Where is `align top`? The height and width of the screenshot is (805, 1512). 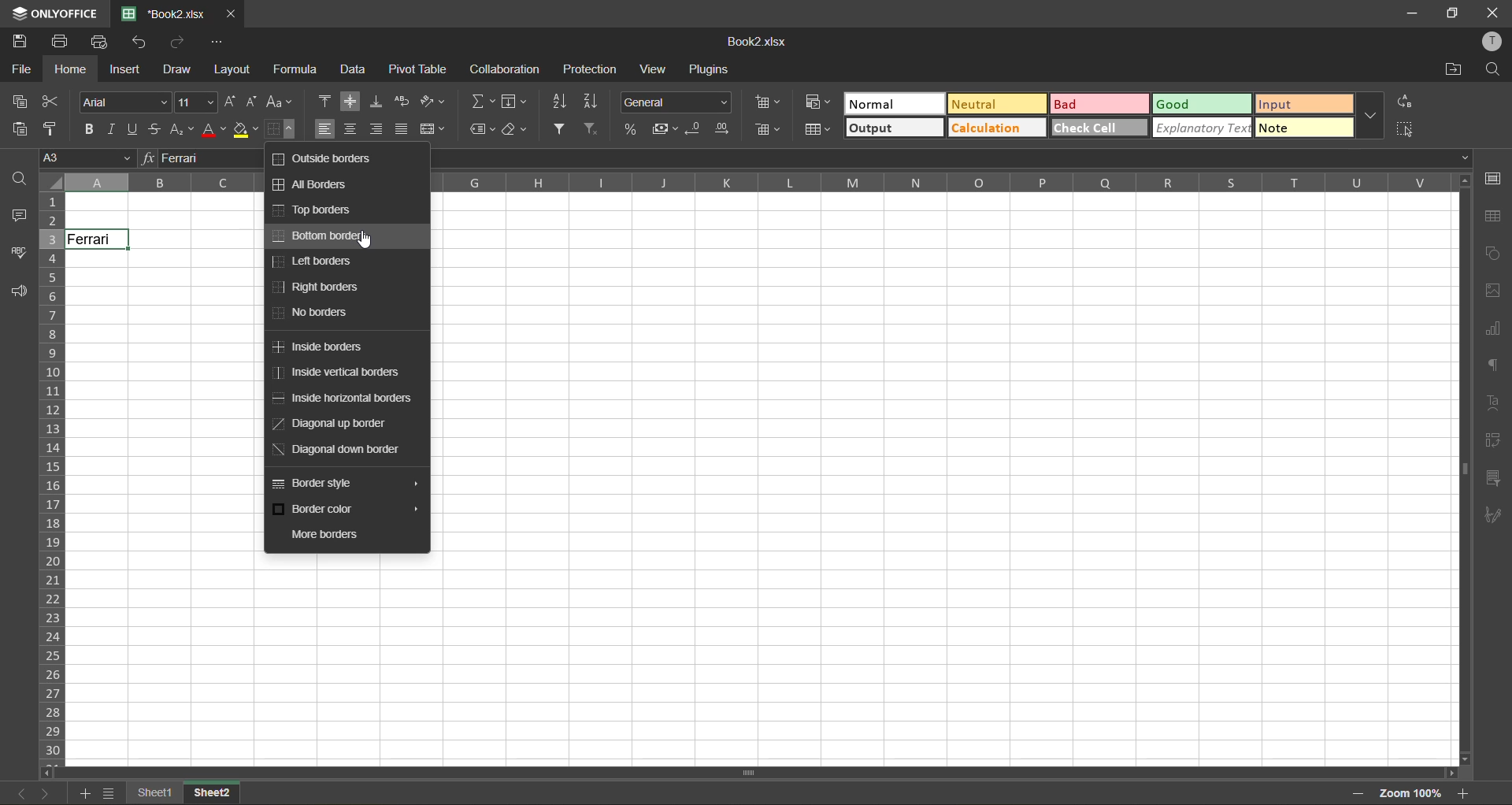
align top is located at coordinates (323, 101).